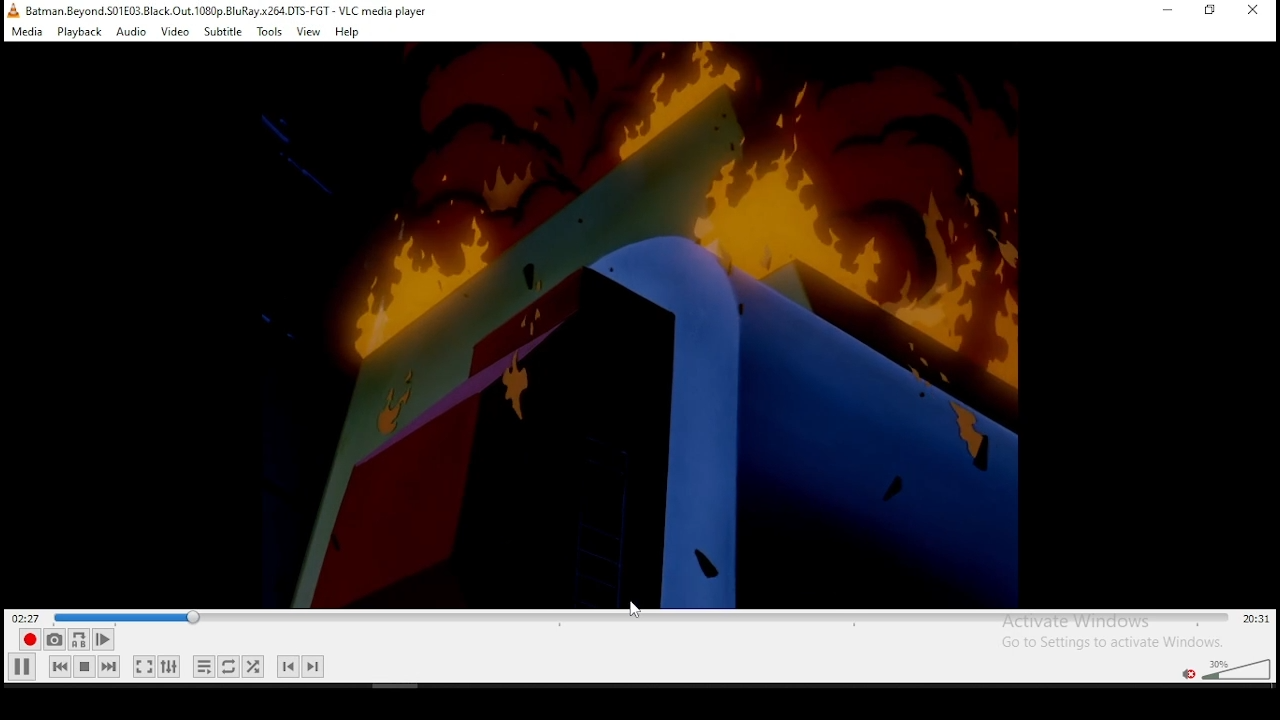  Describe the element at coordinates (23, 666) in the screenshot. I see `play/pause` at that location.